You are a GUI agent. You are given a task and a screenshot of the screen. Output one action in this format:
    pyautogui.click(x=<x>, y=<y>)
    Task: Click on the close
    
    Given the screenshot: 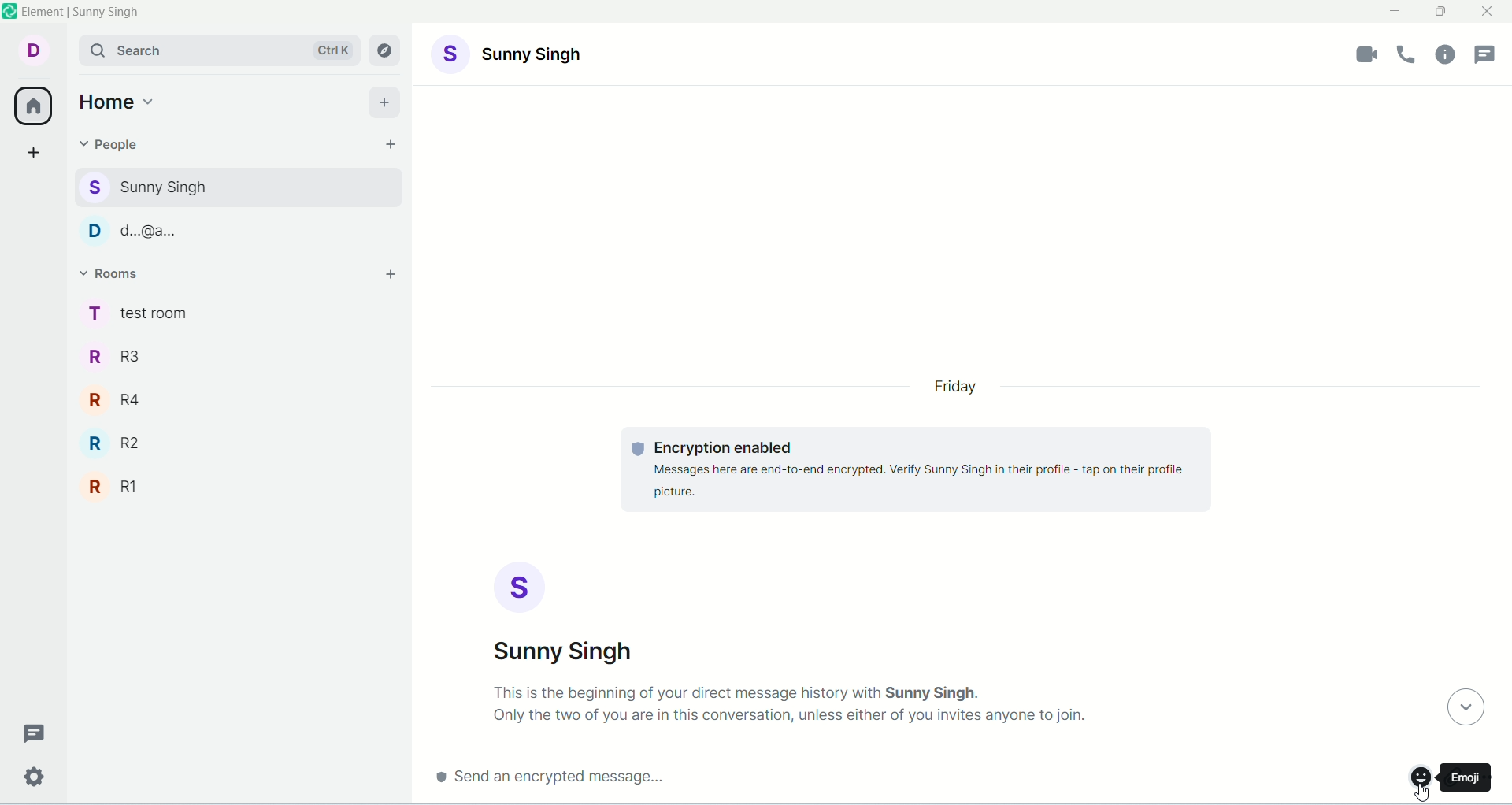 What is the action you would take?
    pyautogui.click(x=1489, y=12)
    